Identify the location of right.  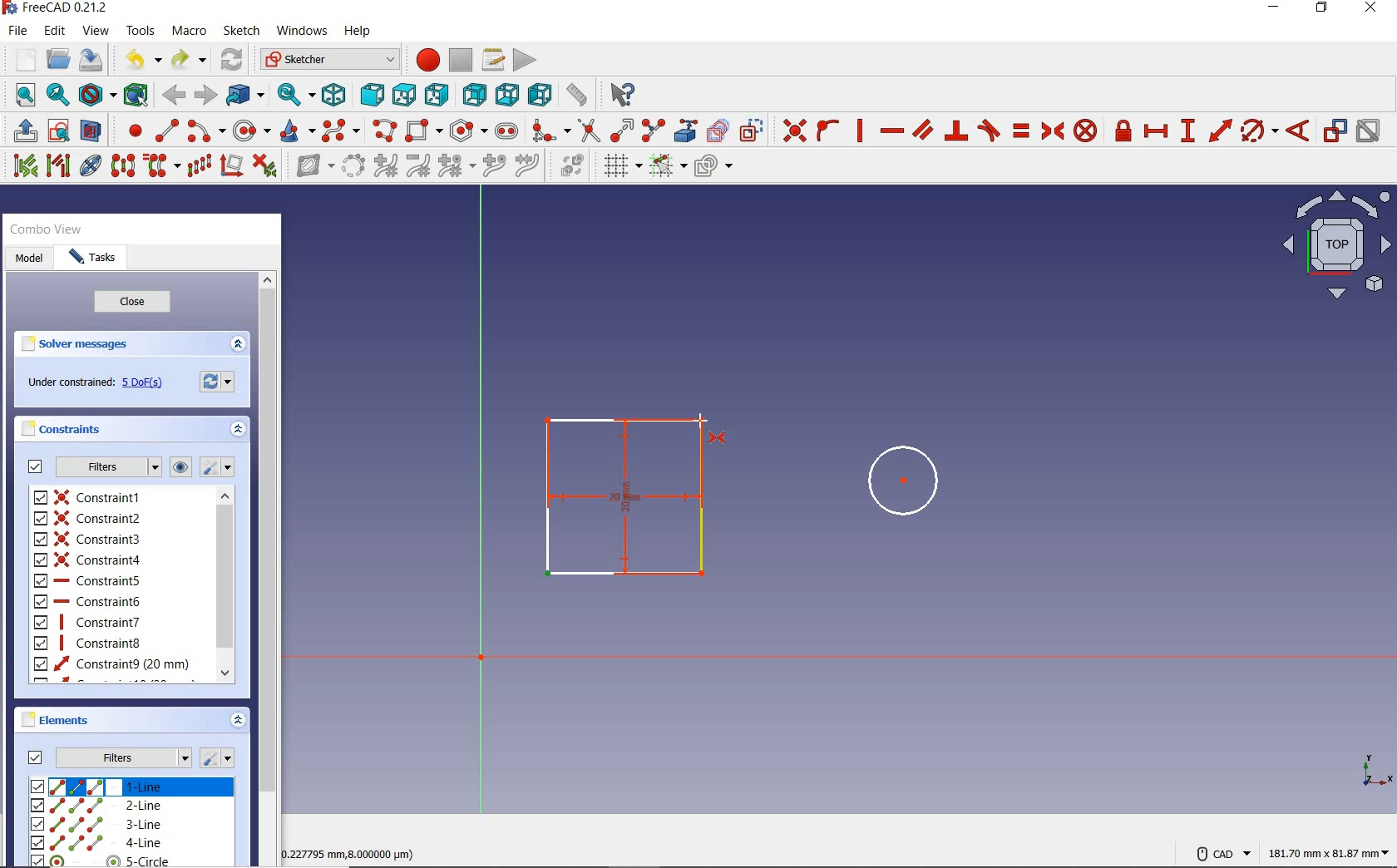
(437, 94).